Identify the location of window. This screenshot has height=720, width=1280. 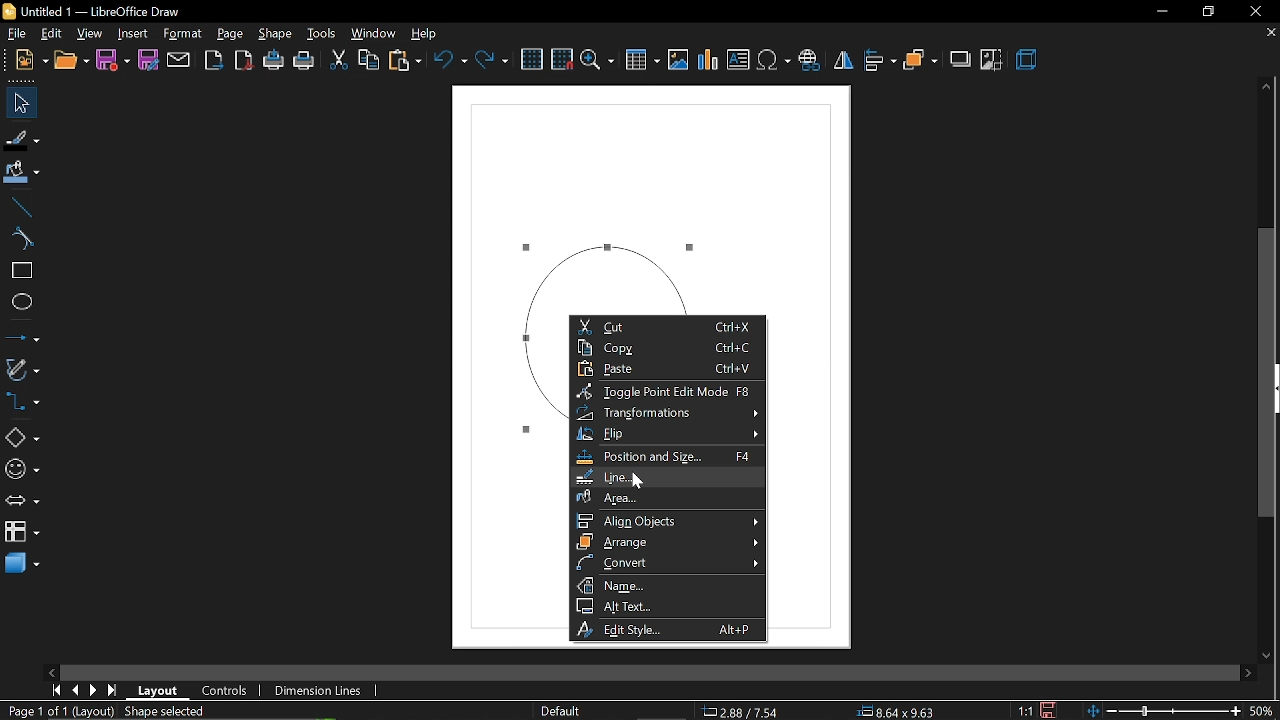
(371, 33).